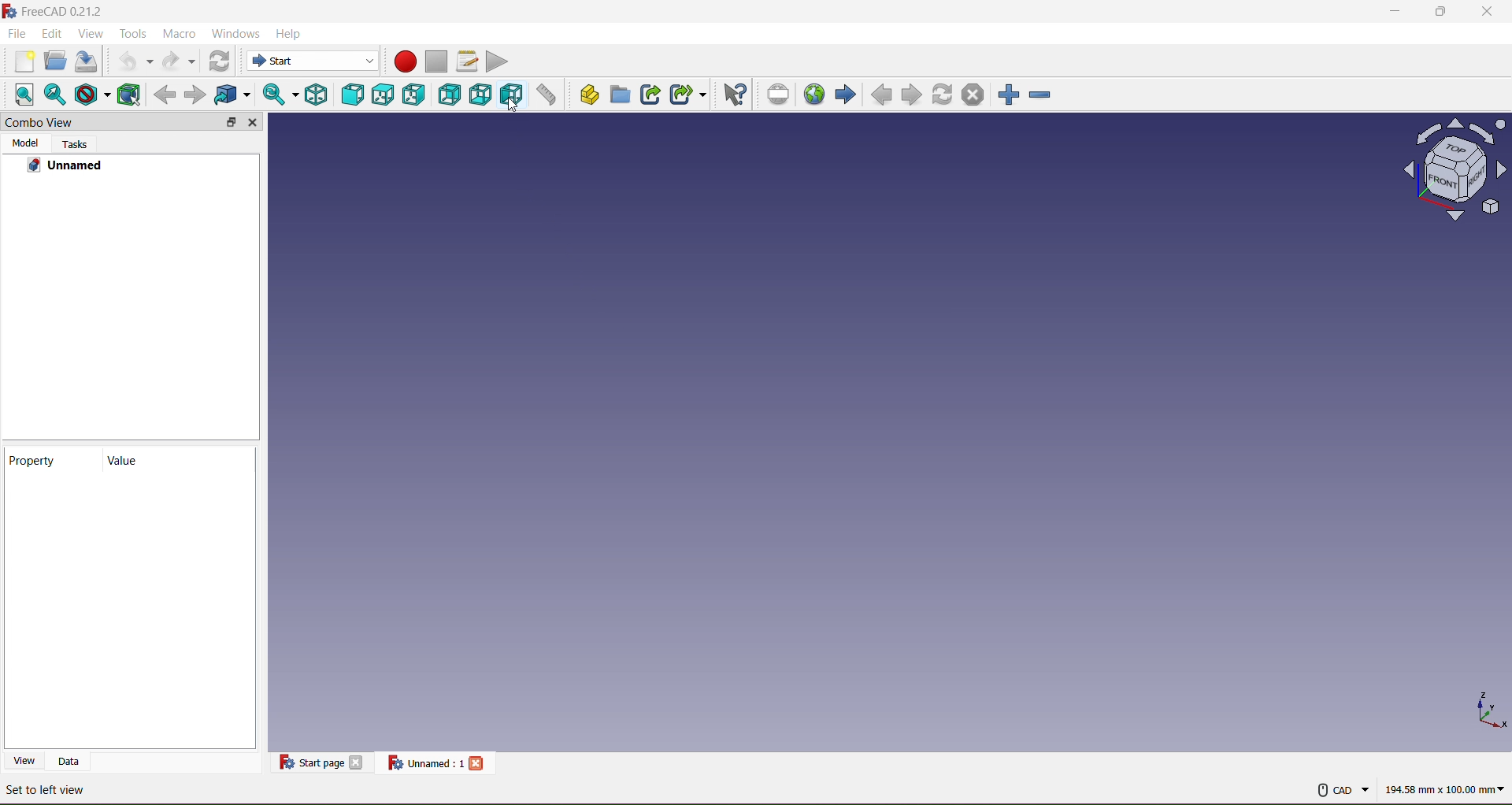 The height and width of the screenshot is (805, 1512). What do you see at coordinates (278, 94) in the screenshot?
I see `Fit Selection` at bounding box center [278, 94].